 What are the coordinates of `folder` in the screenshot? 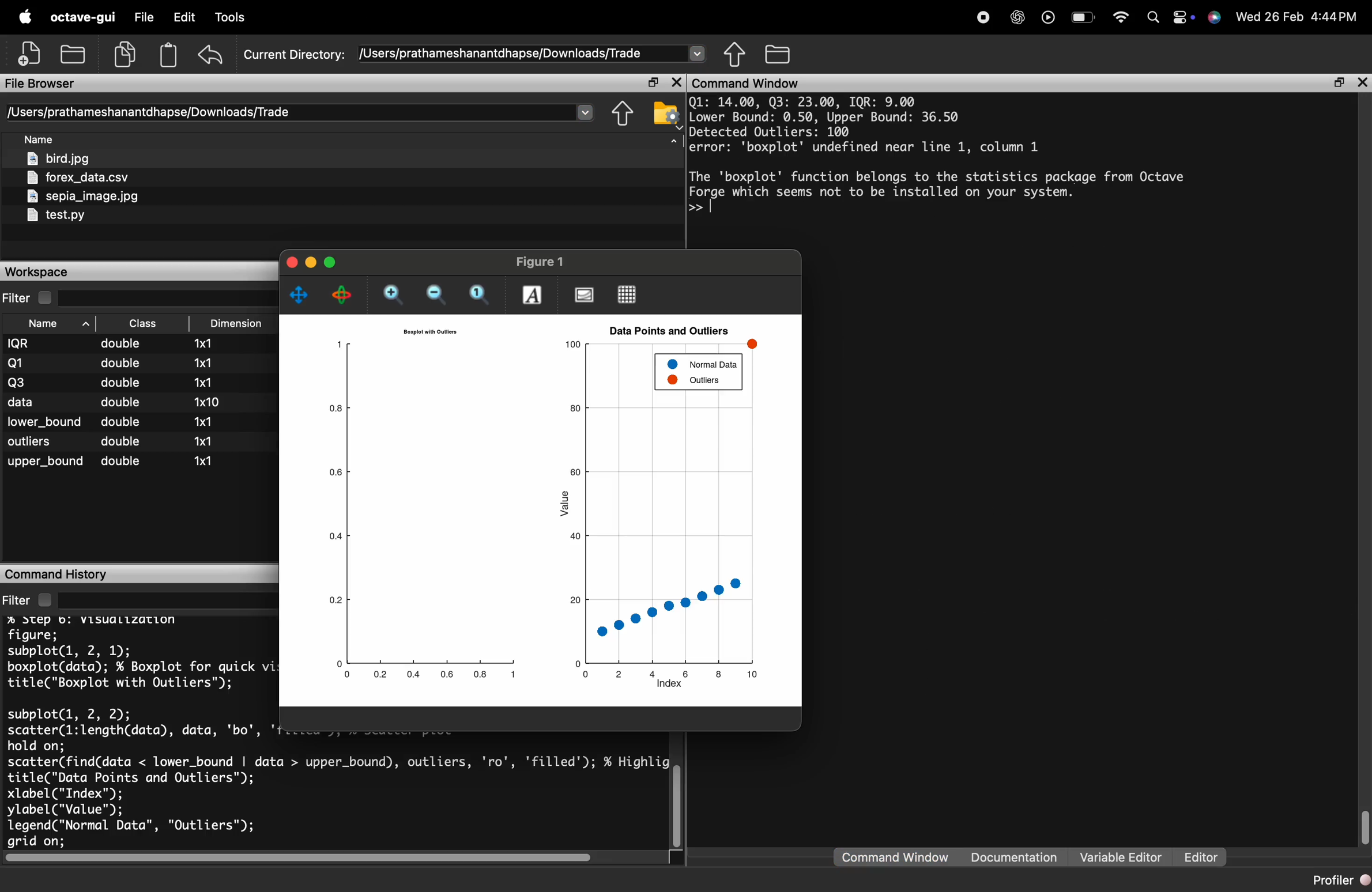 It's located at (779, 53).